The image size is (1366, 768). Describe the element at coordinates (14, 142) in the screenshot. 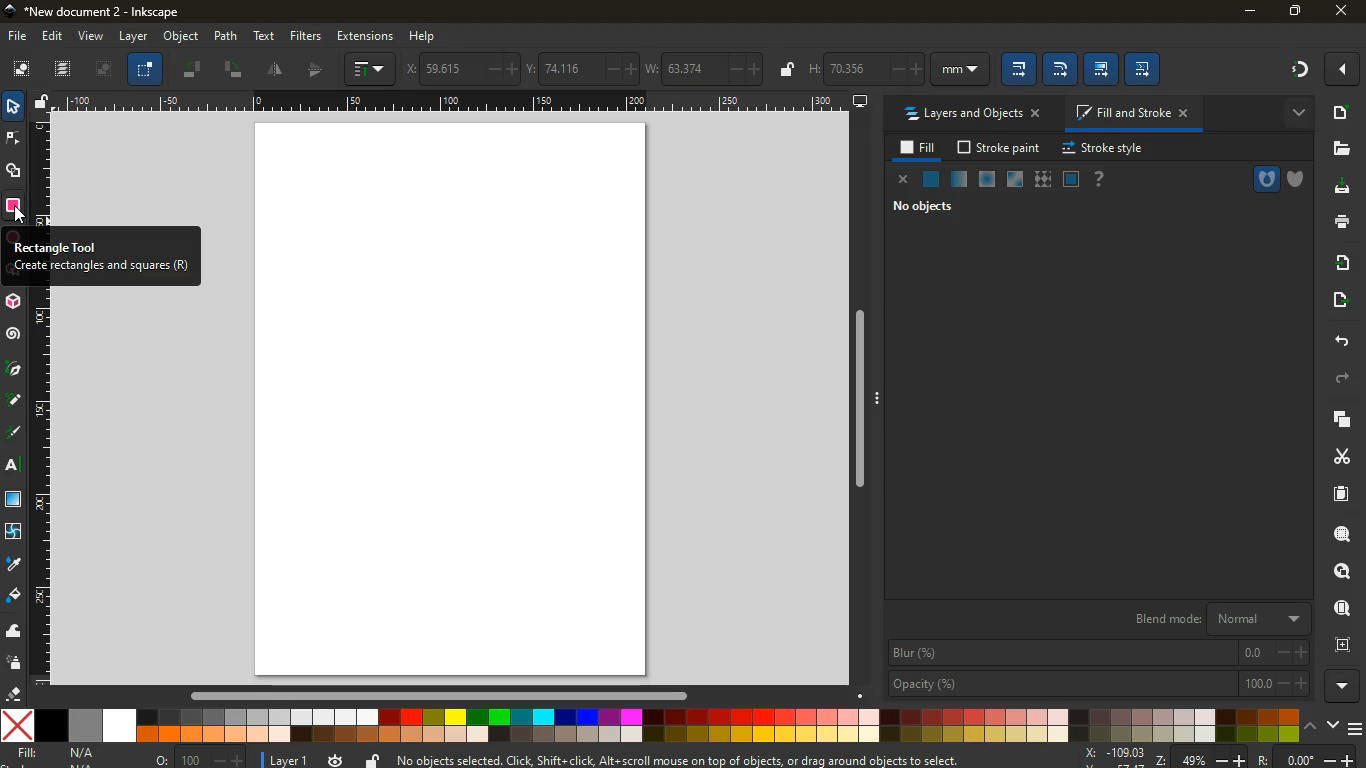

I see `edge` at that location.